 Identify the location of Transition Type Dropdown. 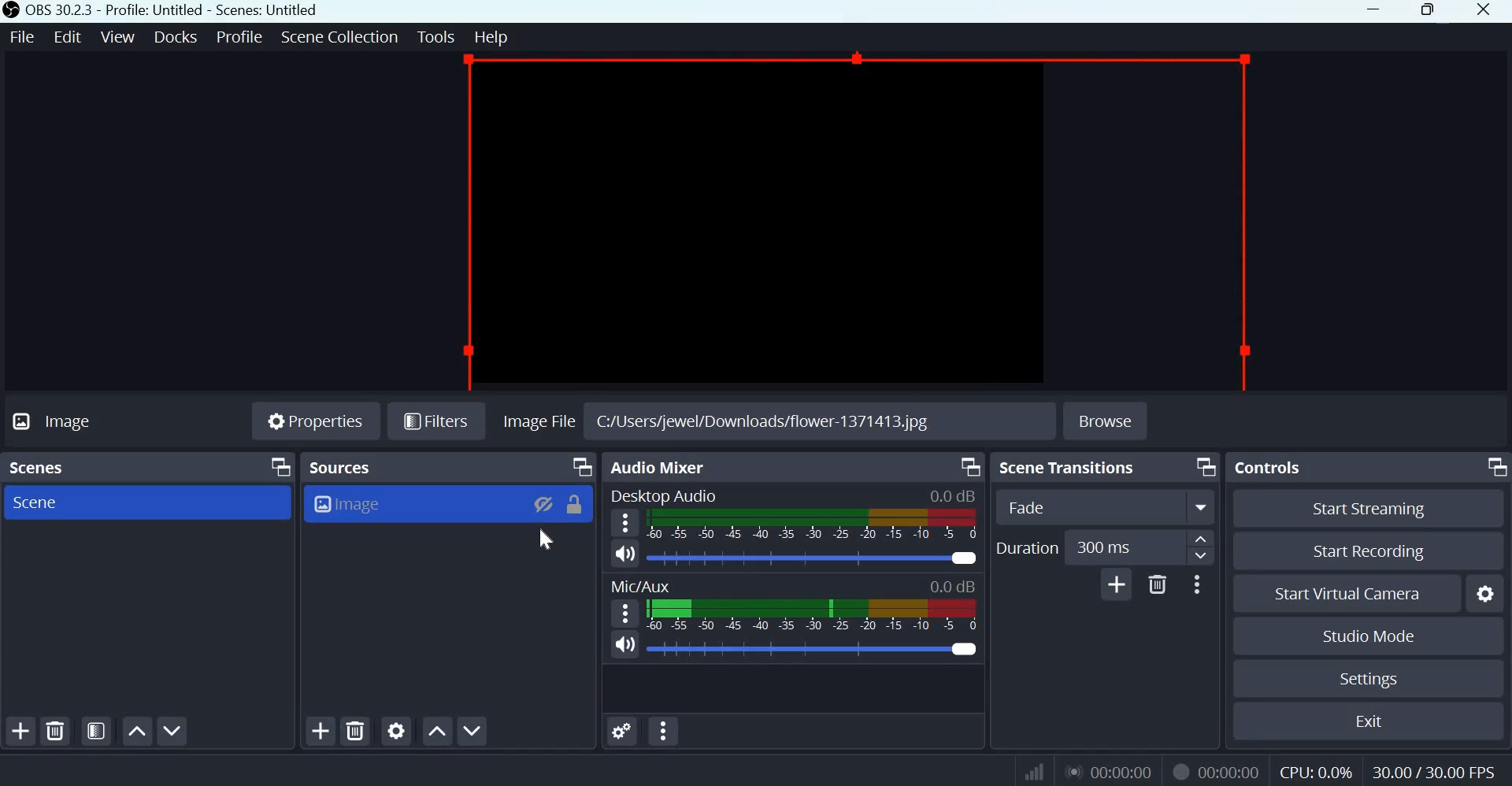
(1105, 507).